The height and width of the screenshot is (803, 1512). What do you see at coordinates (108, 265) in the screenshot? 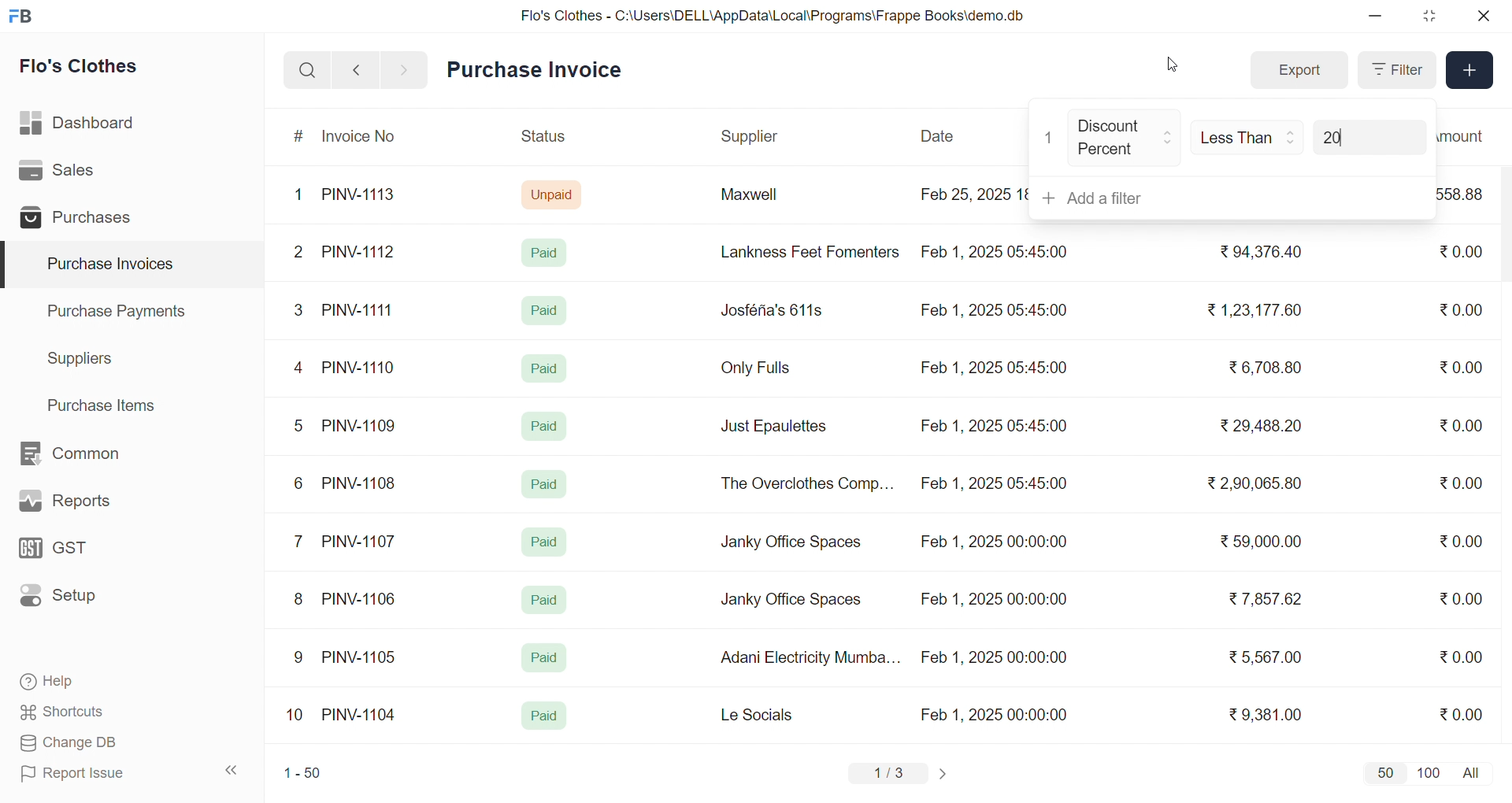
I see `Purchase Invoices` at bounding box center [108, 265].